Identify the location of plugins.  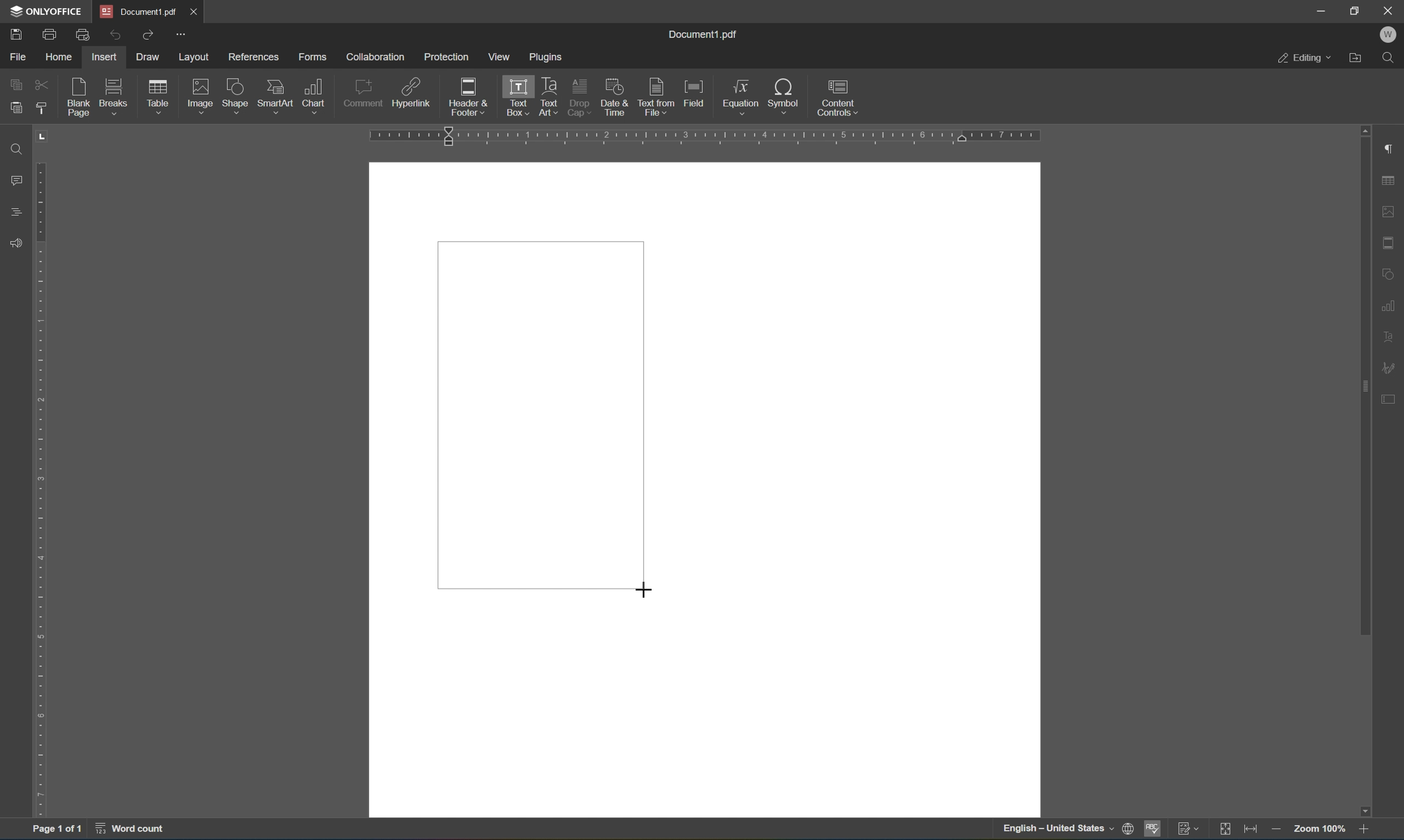
(547, 58).